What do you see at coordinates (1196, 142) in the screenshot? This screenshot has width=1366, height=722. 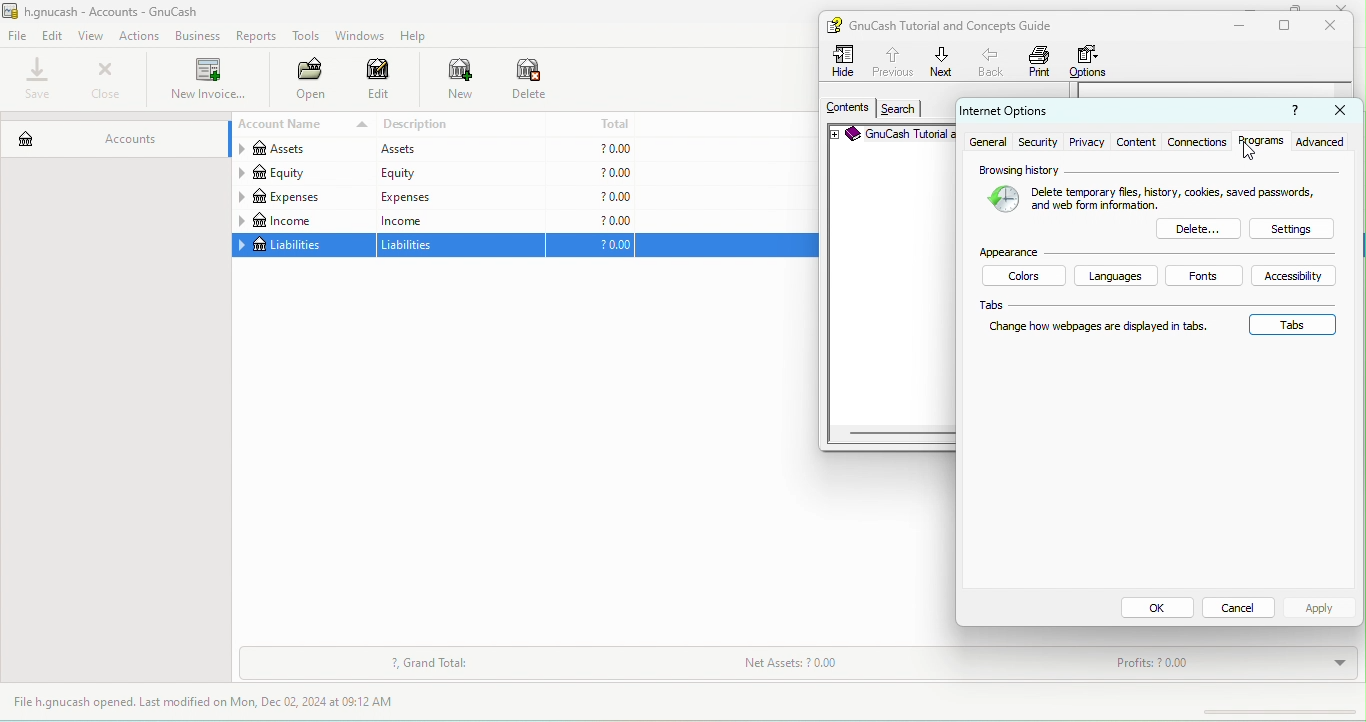 I see `connections` at bounding box center [1196, 142].